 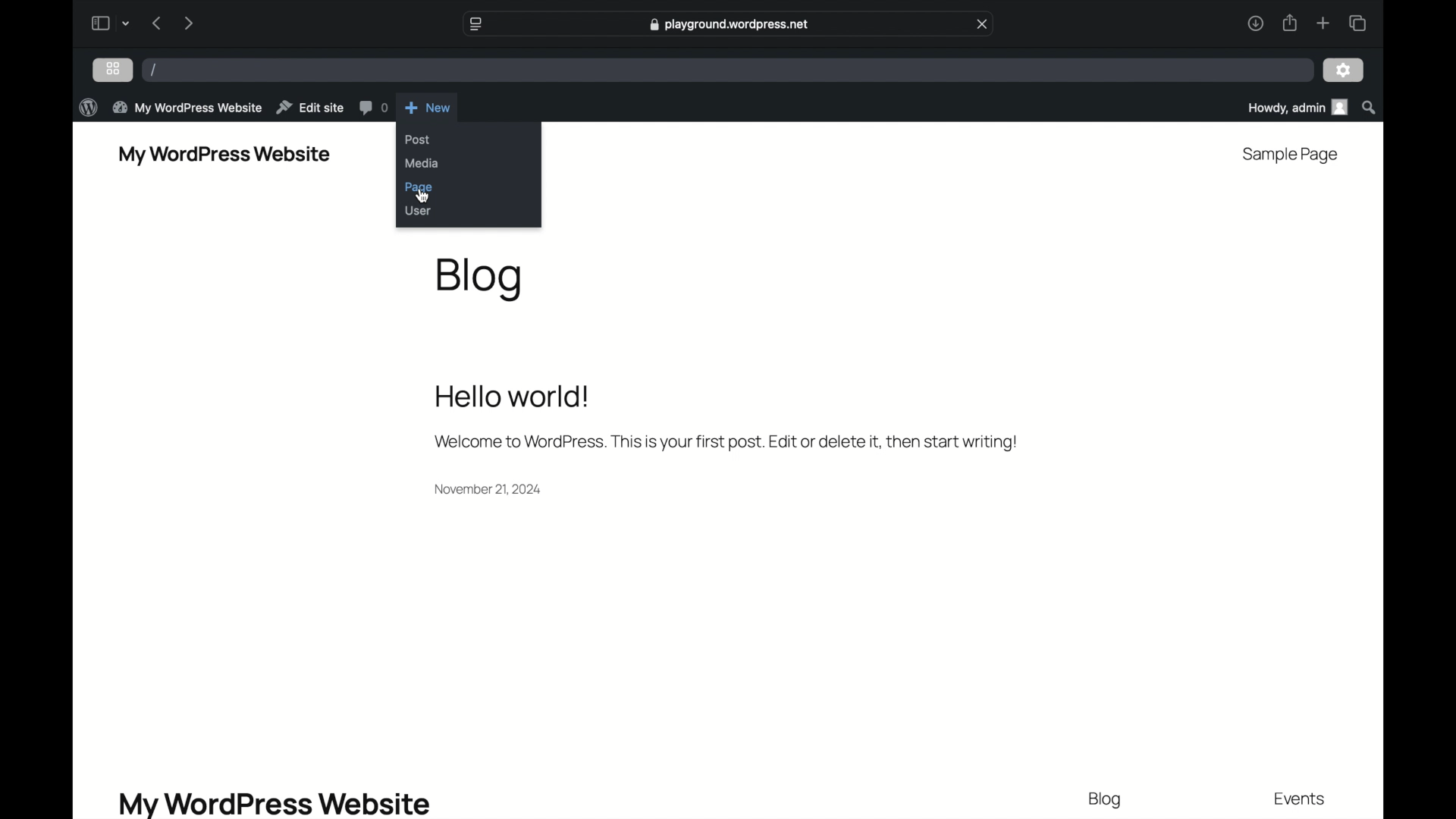 I want to click on media, so click(x=424, y=164).